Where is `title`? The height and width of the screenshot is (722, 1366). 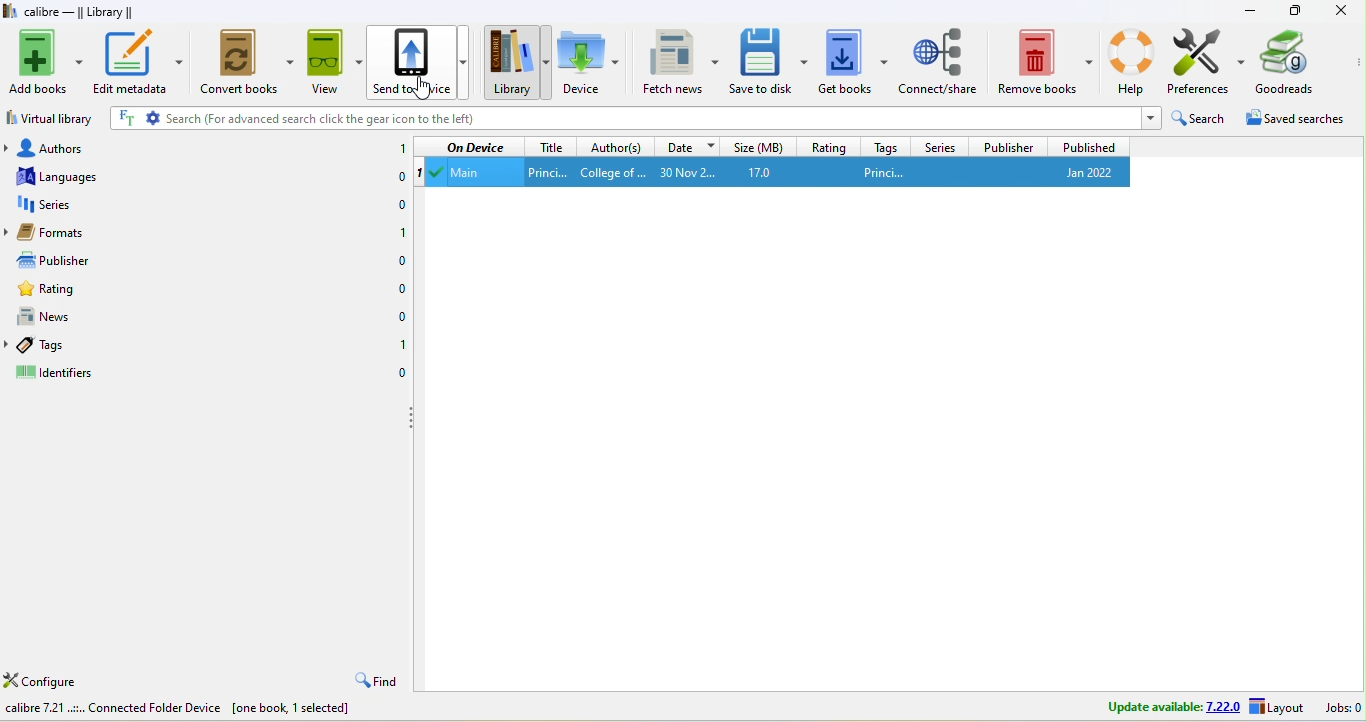 title is located at coordinates (70, 11).